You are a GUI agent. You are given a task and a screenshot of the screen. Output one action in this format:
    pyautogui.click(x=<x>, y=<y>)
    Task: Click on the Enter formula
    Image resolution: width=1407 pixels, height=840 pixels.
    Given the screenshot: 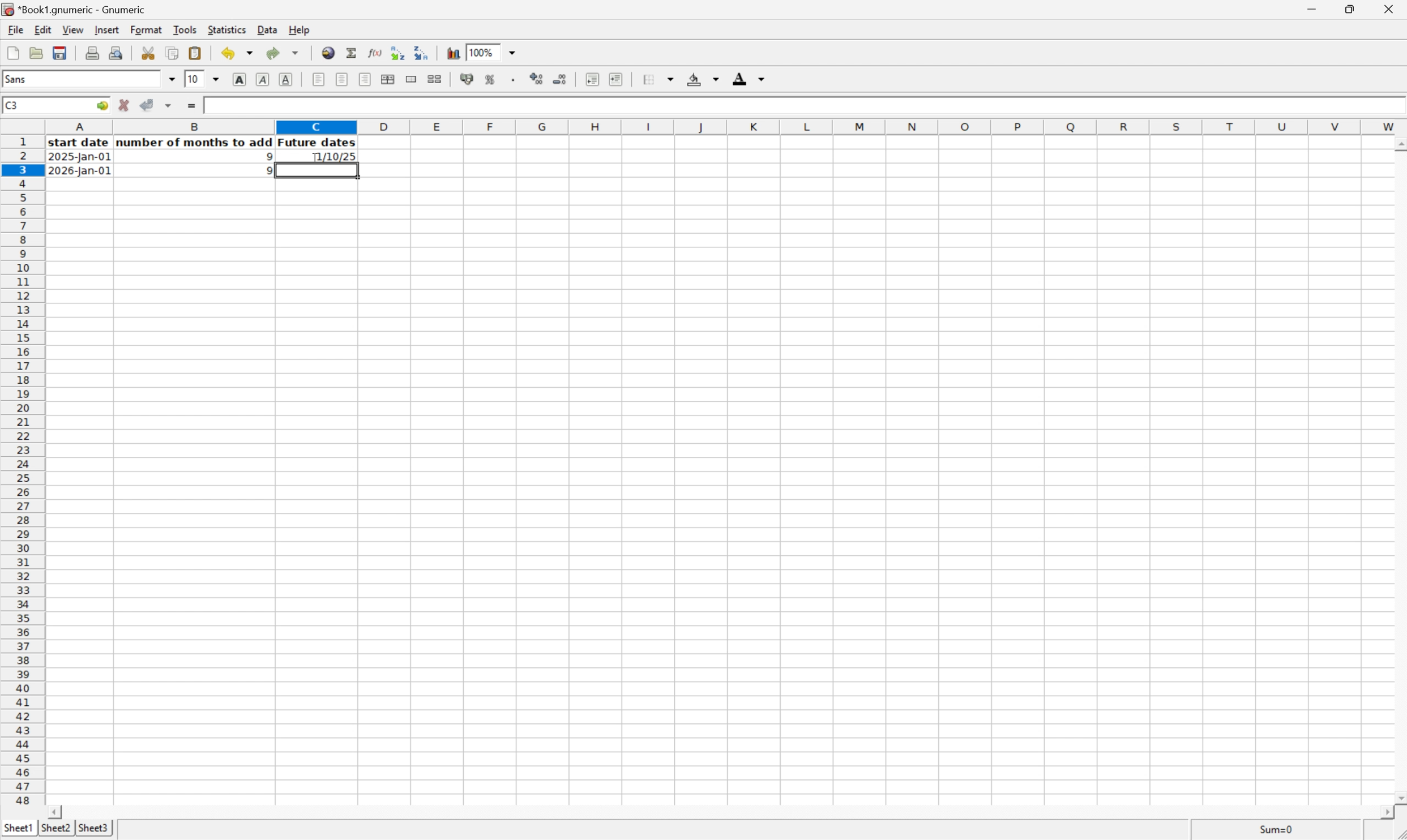 What is the action you would take?
    pyautogui.click(x=193, y=103)
    